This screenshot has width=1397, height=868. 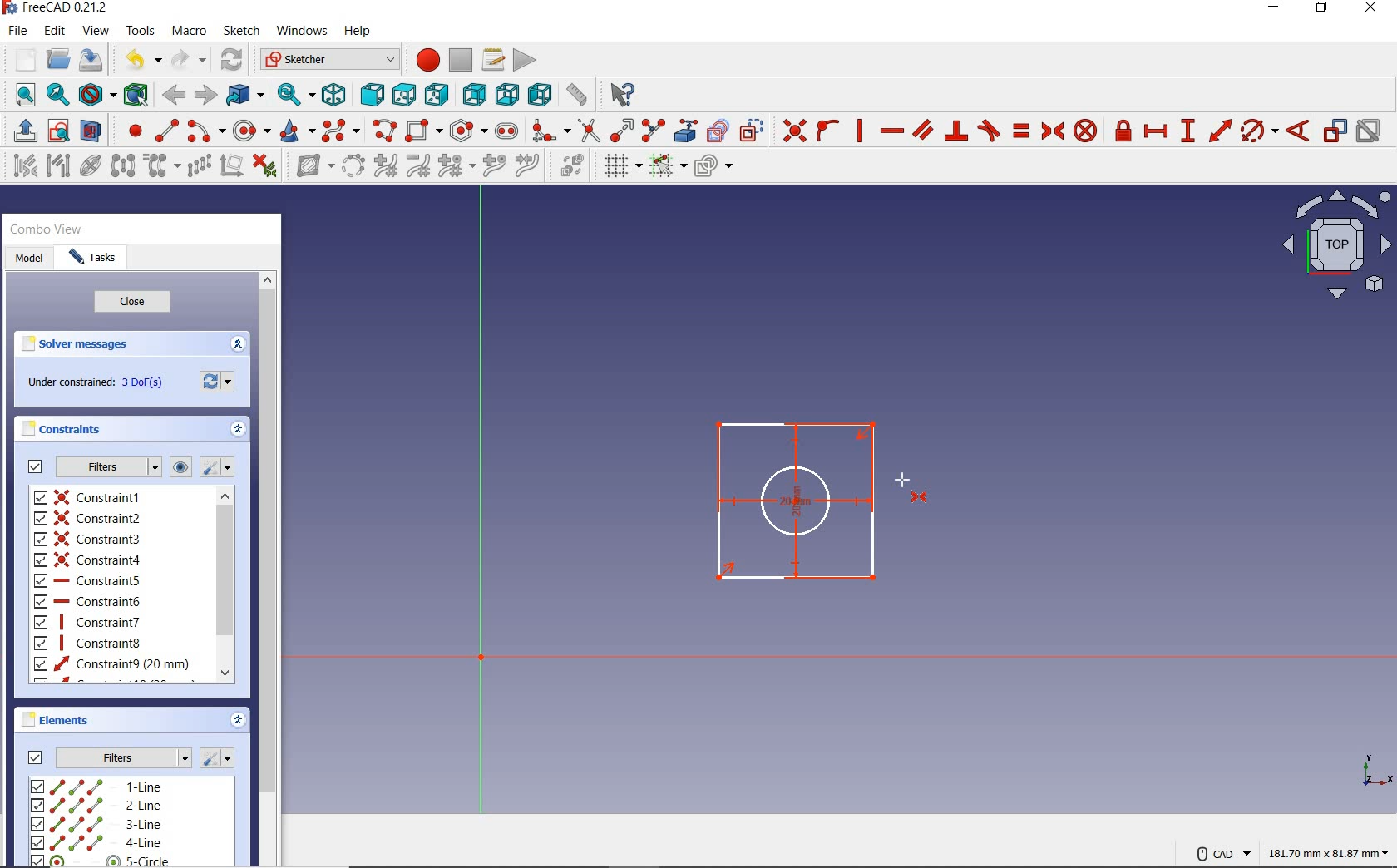 I want to click on back, so click(x=175, y=96).